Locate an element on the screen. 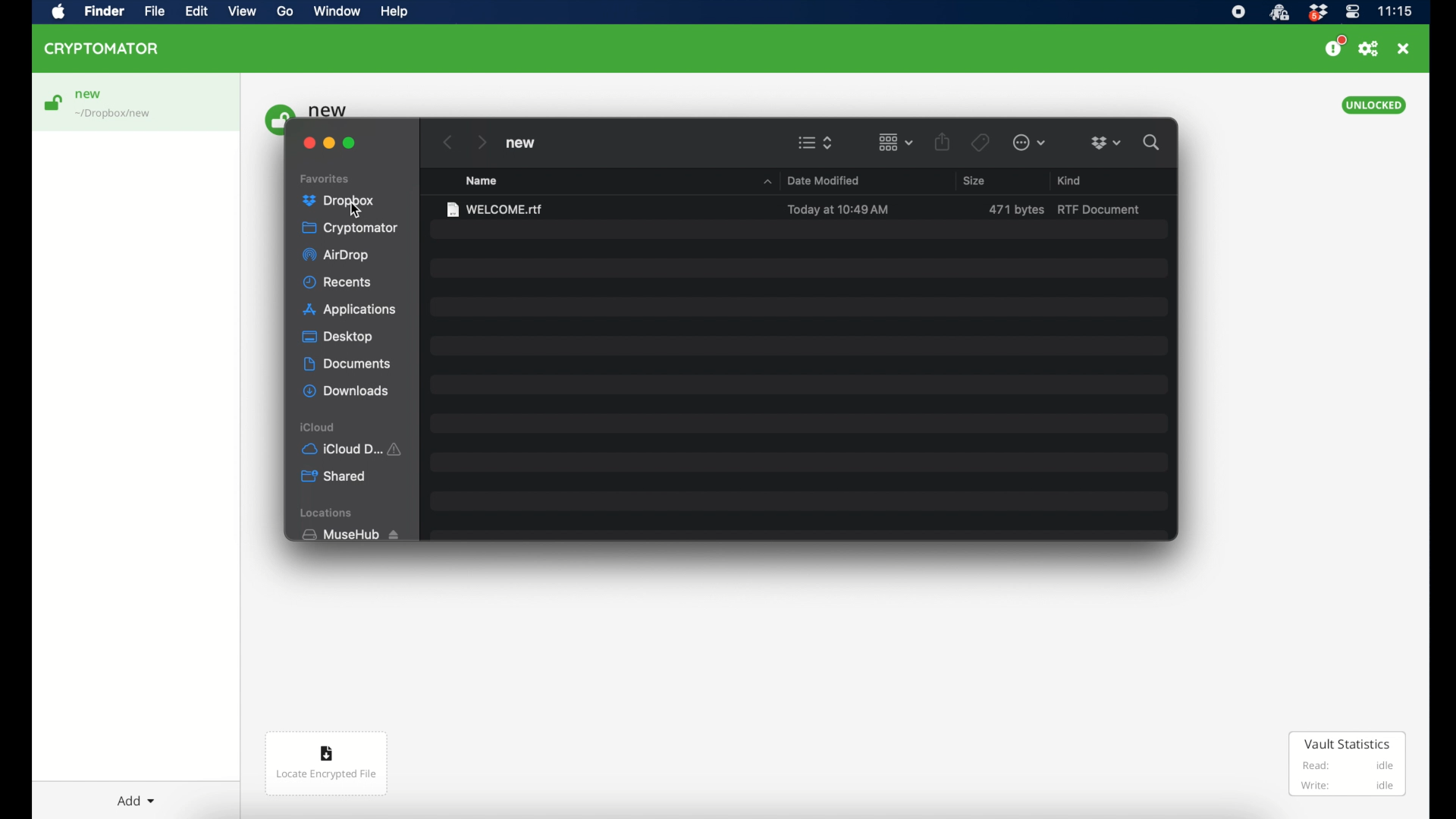 The width and height of the screenshot is (1456, 819). change item grouping is located at coordinates (896, 143).